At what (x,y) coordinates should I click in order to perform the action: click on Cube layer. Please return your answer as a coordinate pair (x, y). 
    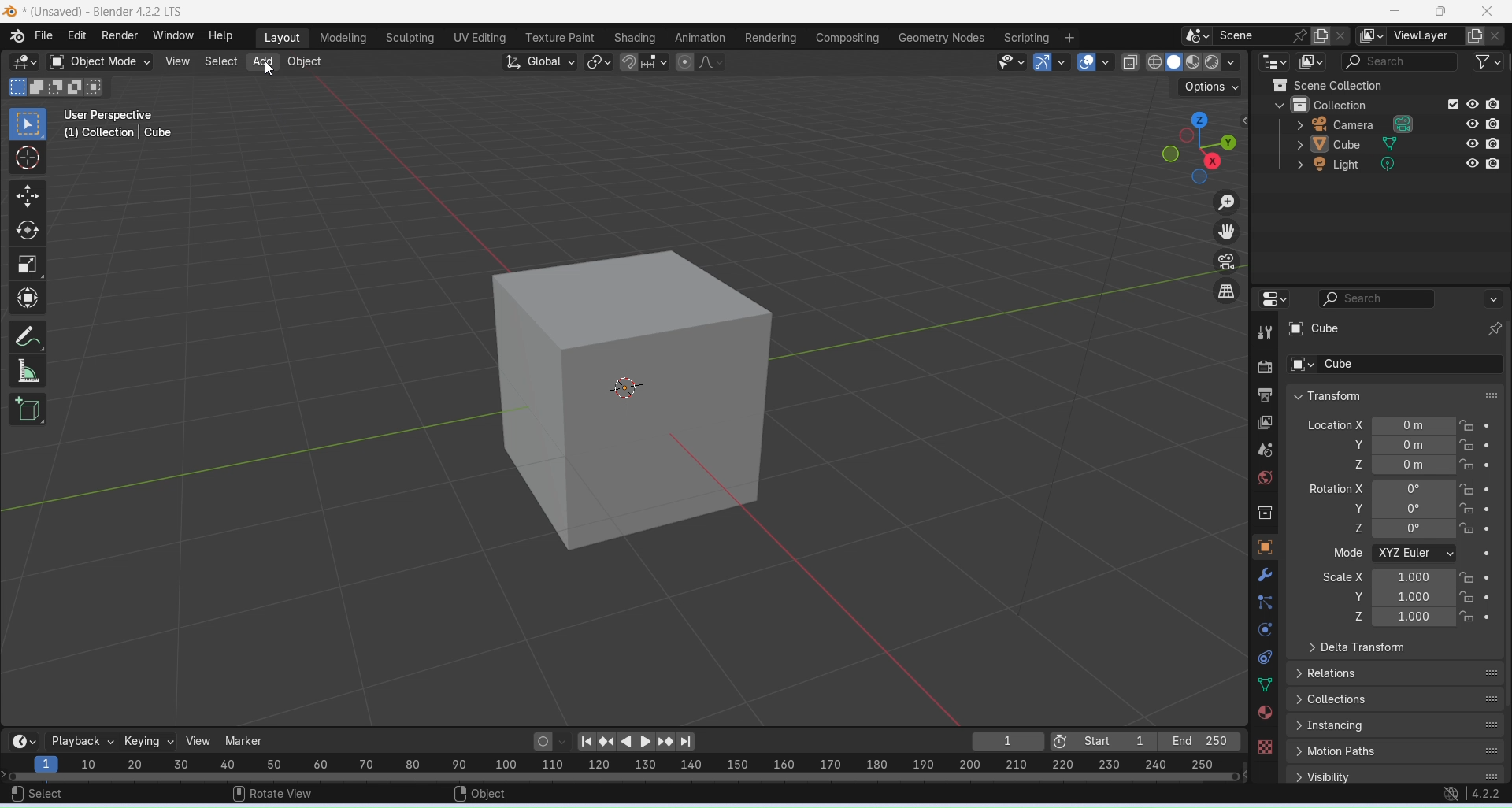
    Looking at the image, I should click on (1396, 328).